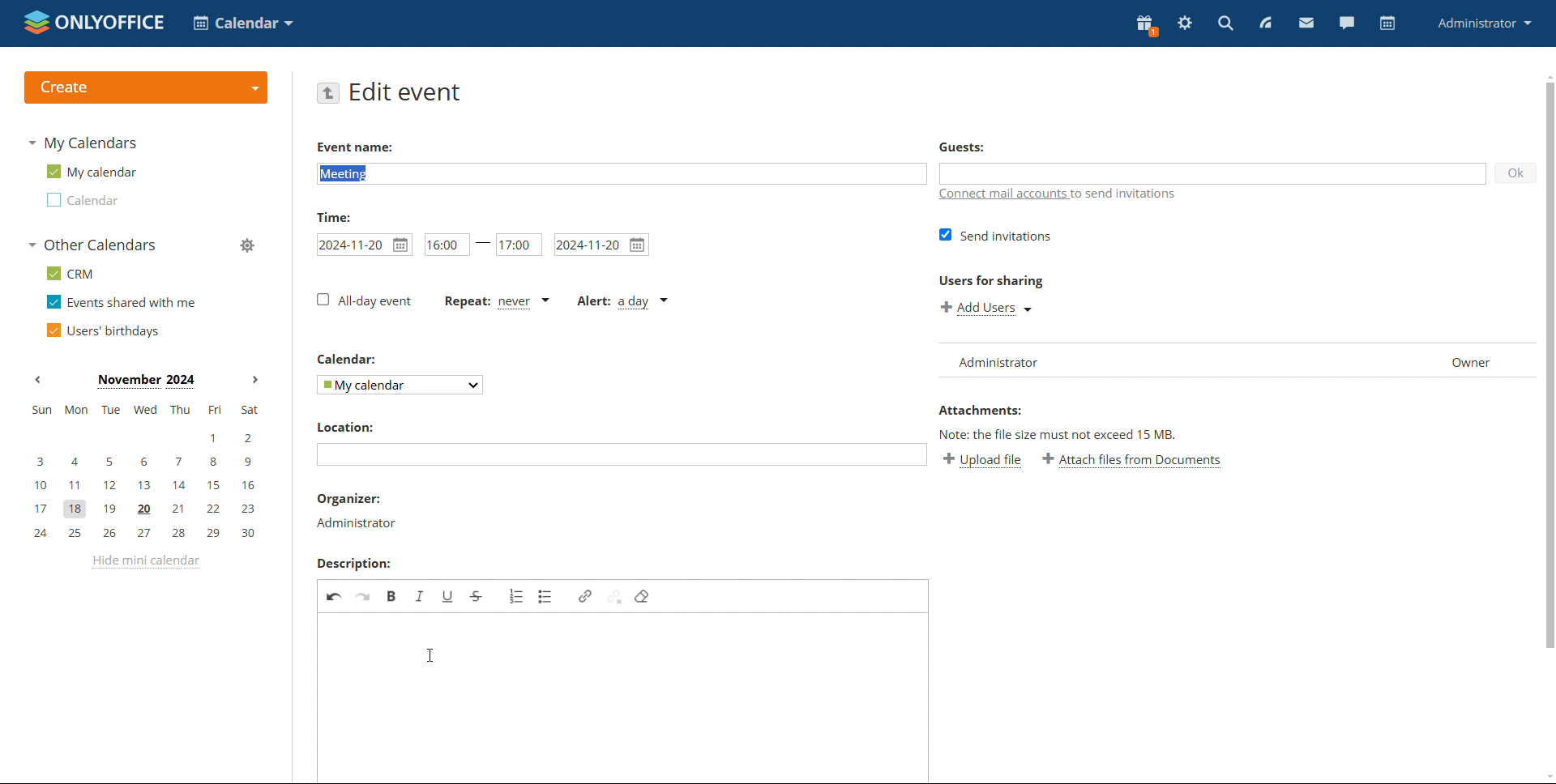  What do you see at coordinates (122, 301) in the screenshot?
I see `events shared with me` at bounding box center [122, 301].